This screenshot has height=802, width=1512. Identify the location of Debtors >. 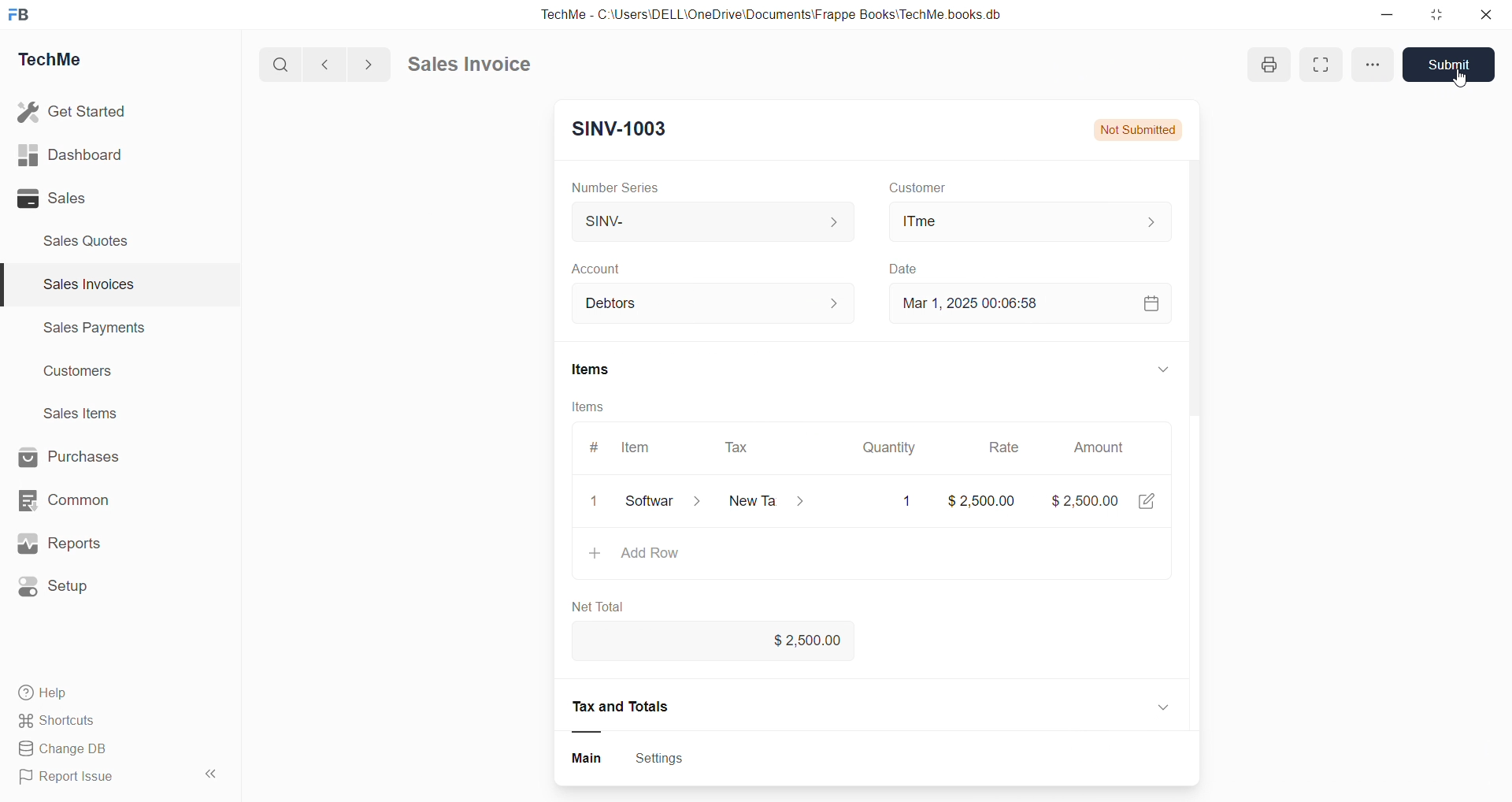
(712, 308).